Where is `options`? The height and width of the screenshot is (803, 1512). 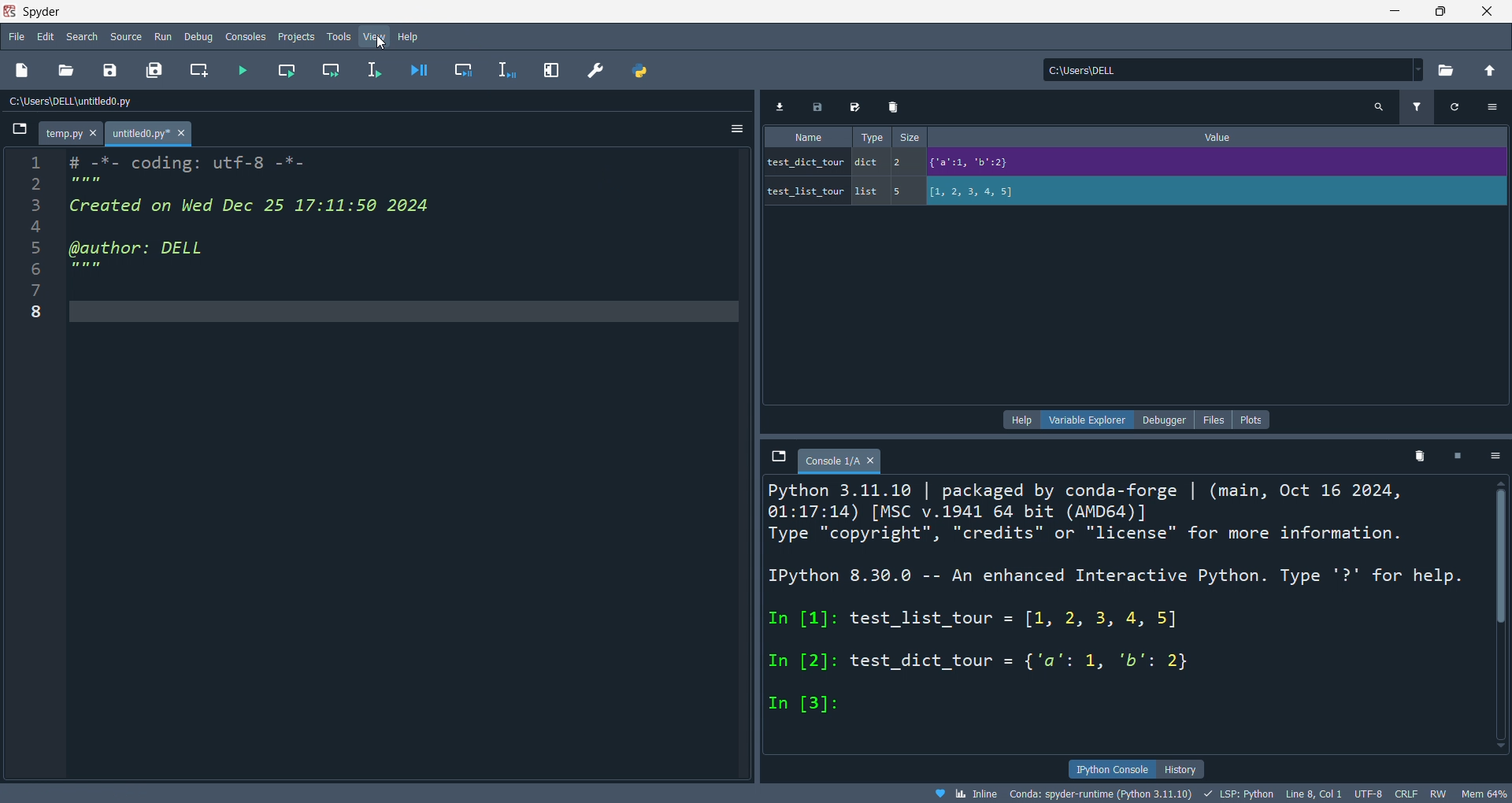
options is located at coordinates (1496, 457).